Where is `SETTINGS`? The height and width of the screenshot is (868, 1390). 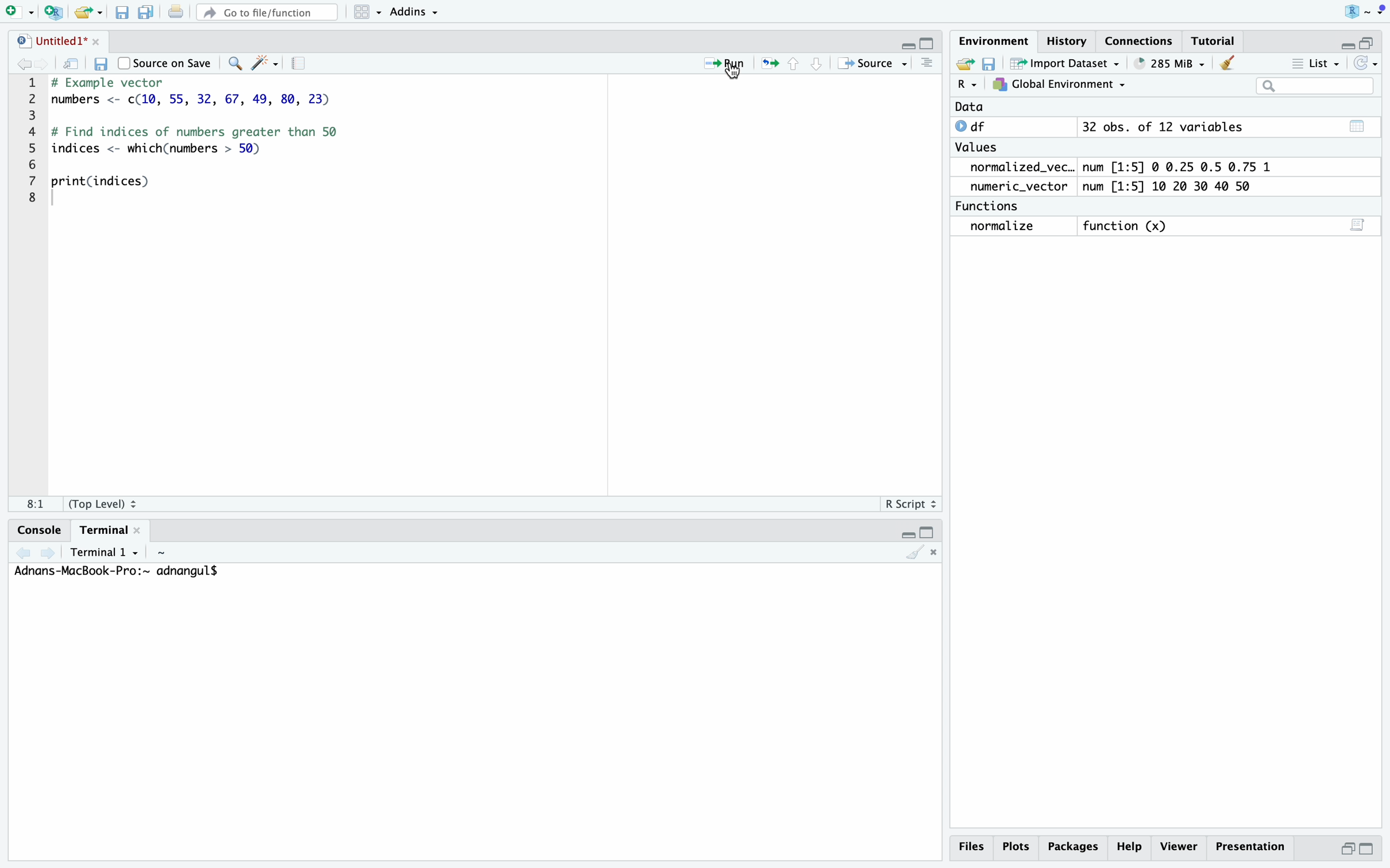 SETTINGS is located at coordinates (302, 64).